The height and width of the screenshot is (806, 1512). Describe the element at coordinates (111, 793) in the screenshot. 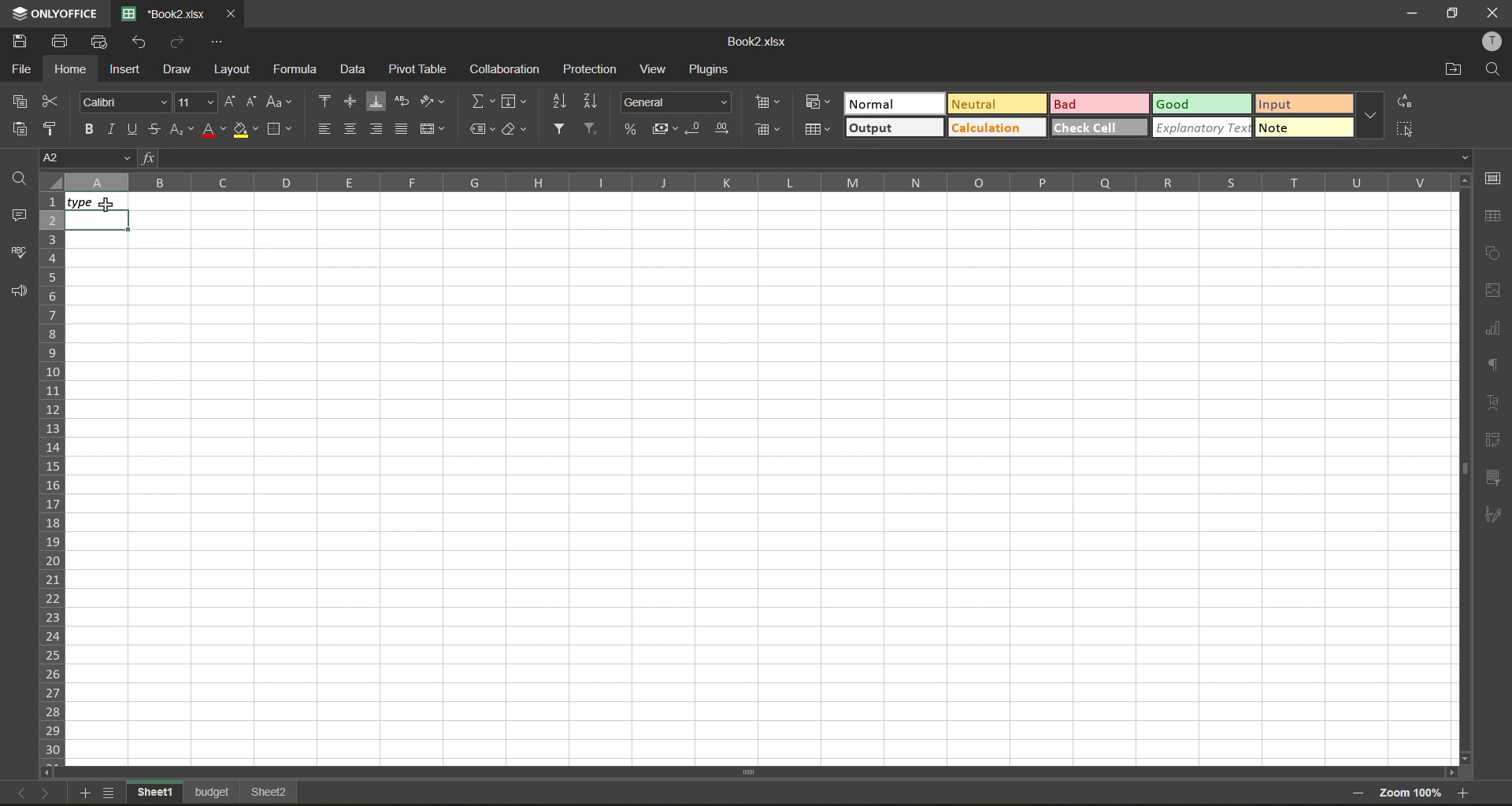

I see `sheet list` at that location.